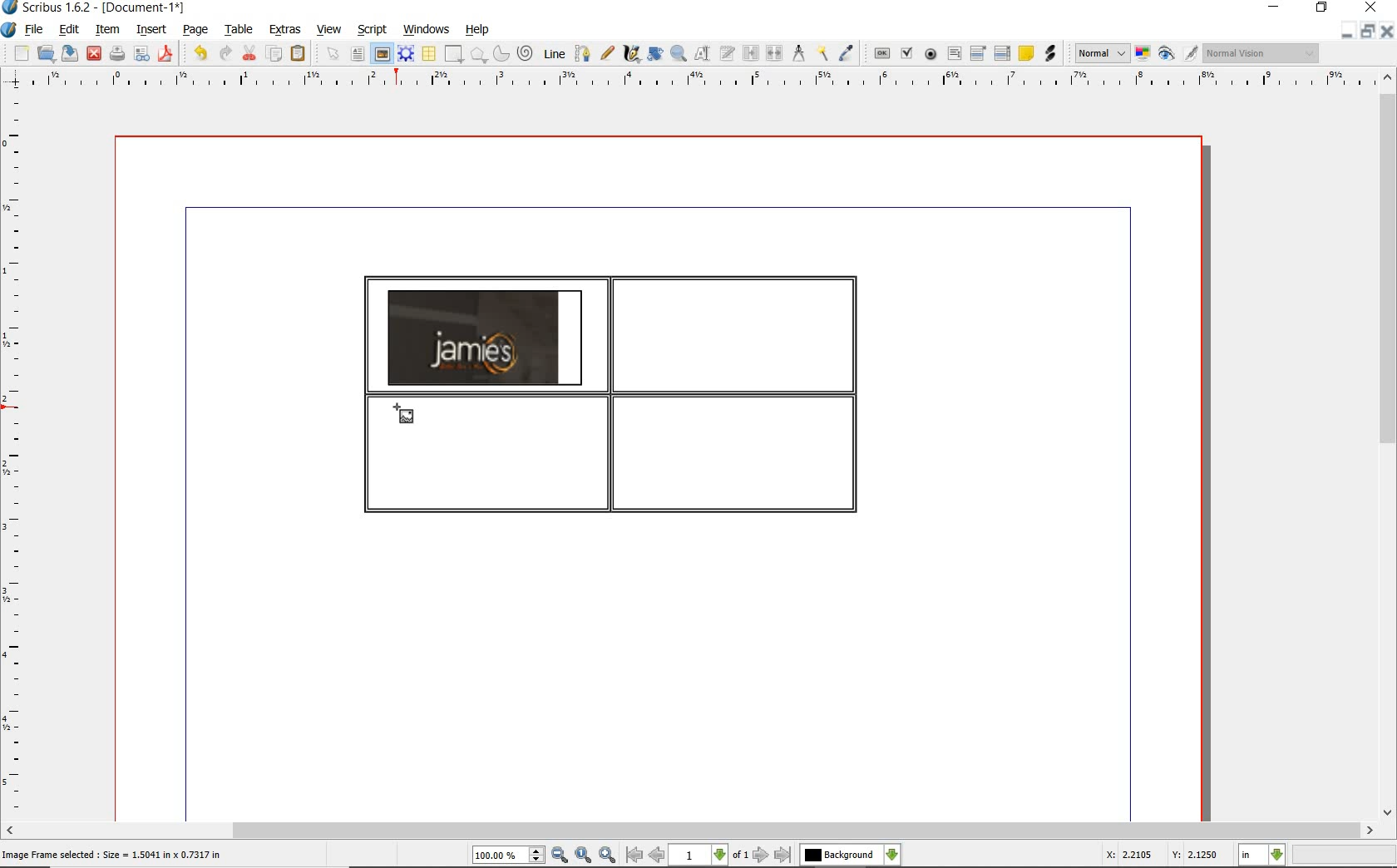 The image size is (1397, 868). Describe the element at coordinates (882, 52) in the screenshot. I see `pdf push button` at that location.